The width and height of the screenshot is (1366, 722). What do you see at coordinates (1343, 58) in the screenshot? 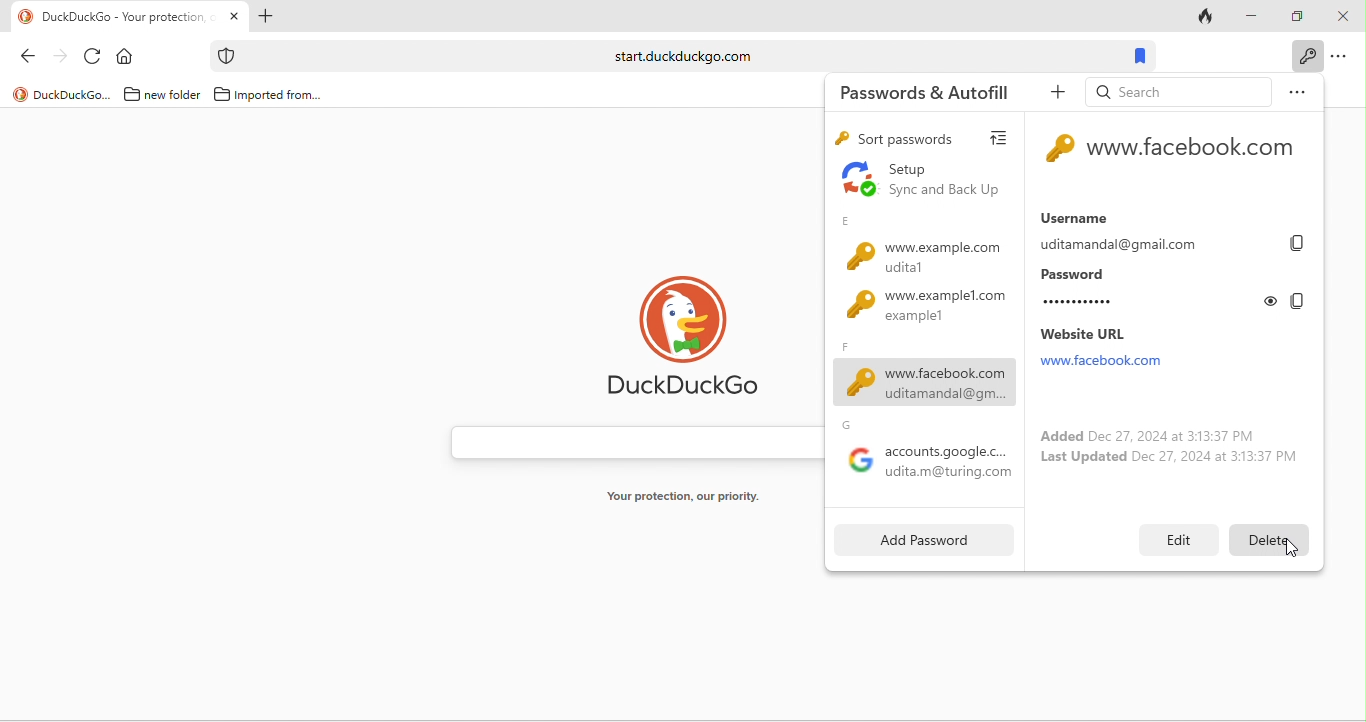
I see `option` at bounding box center [1343, 58].